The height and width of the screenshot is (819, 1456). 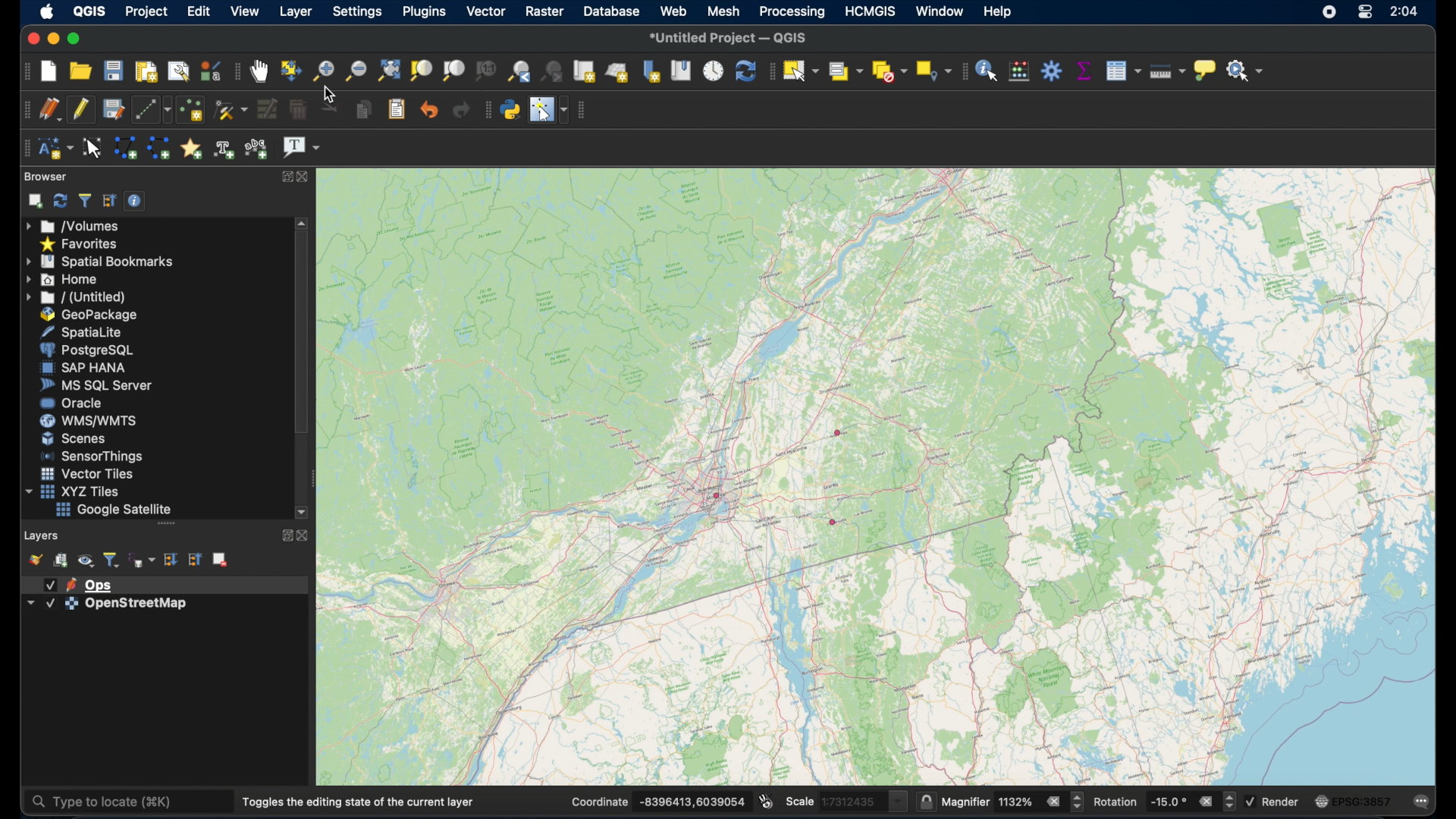 I want to click on toggle editing, so click(x=80, y=110).